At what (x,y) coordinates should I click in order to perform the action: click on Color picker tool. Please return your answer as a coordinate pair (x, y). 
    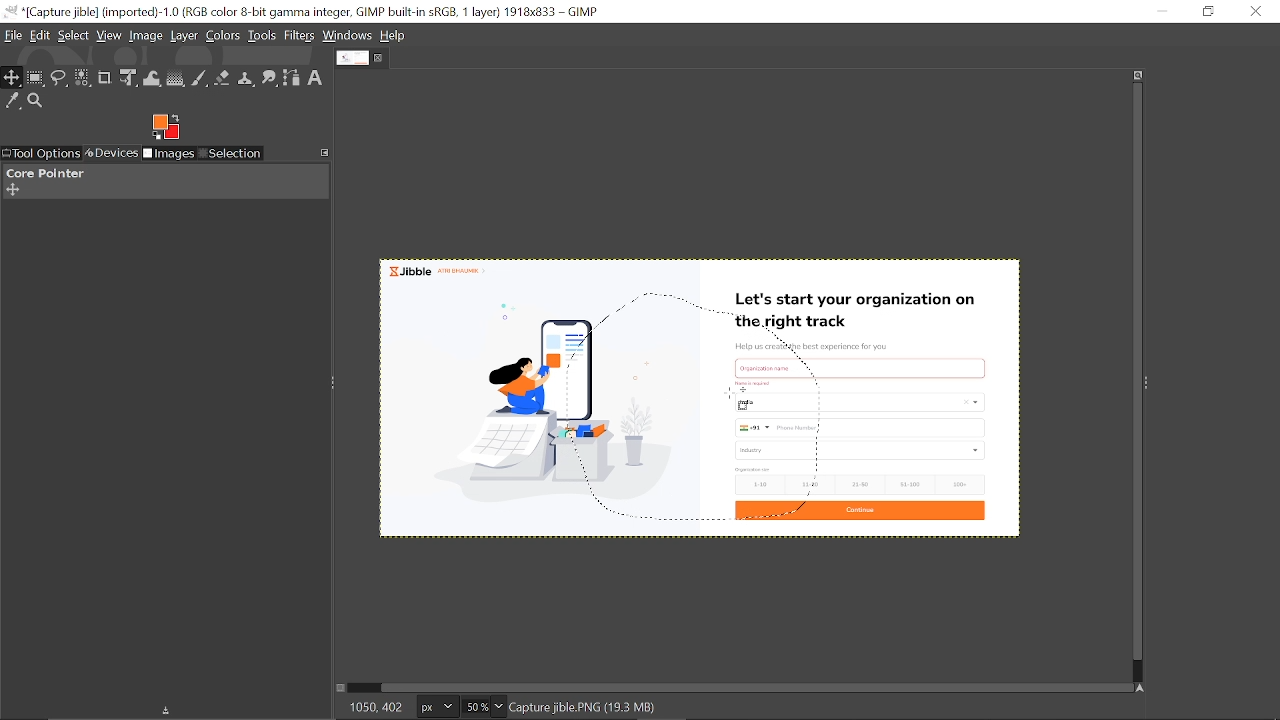
    Looking at the image, I should click on (13, 102).